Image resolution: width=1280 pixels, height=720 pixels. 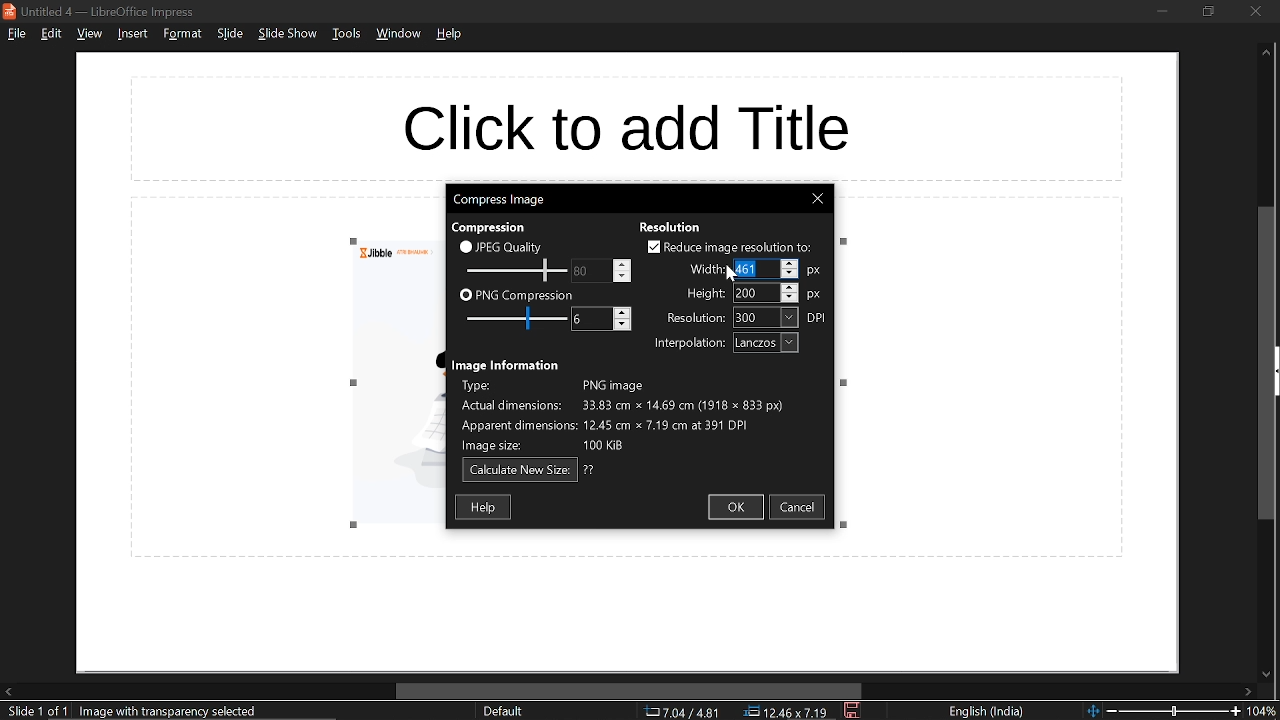 I want to click on format, so click(x=182, y=34).